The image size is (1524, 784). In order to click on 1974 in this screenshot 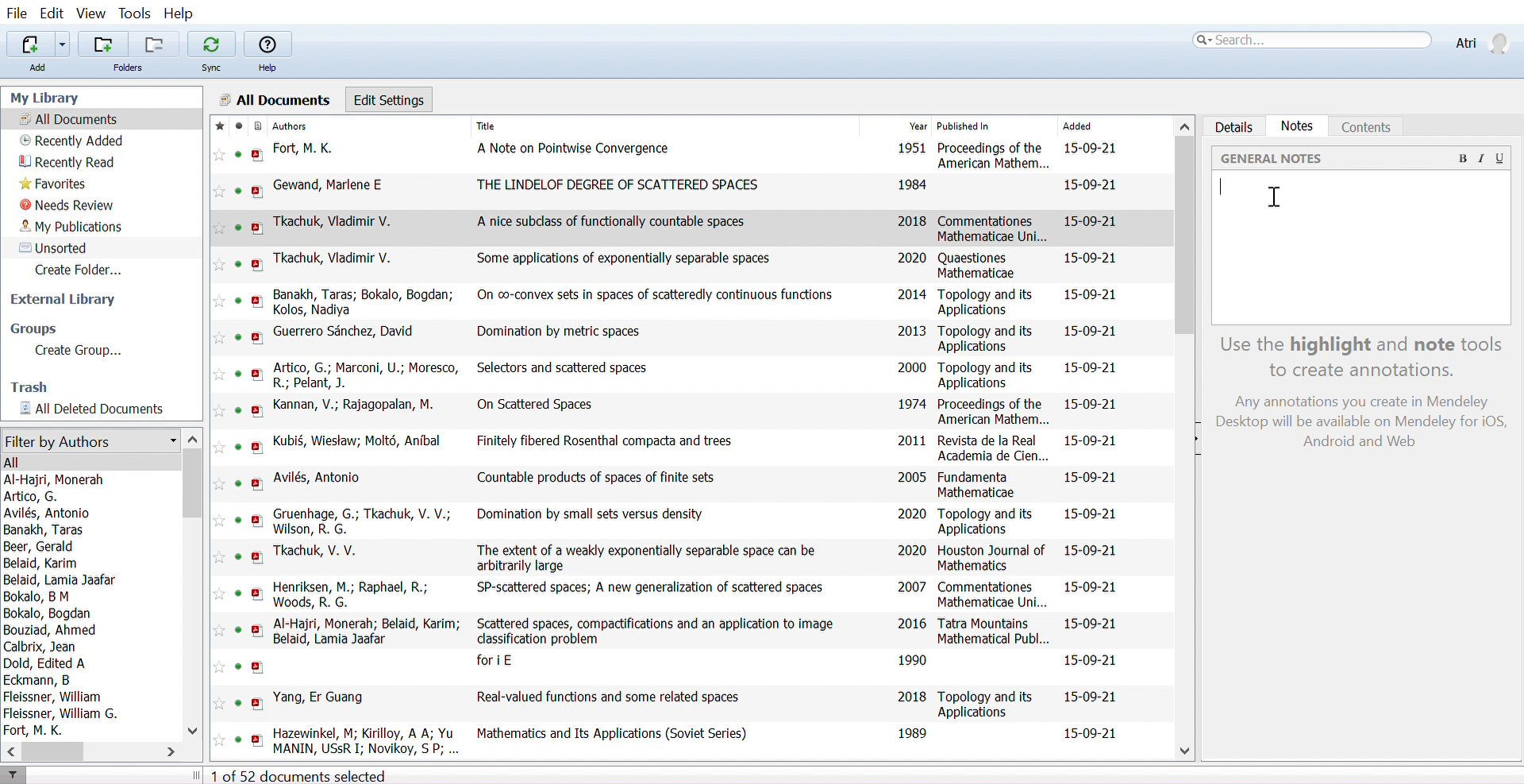, I will do `click(912, 404)`.